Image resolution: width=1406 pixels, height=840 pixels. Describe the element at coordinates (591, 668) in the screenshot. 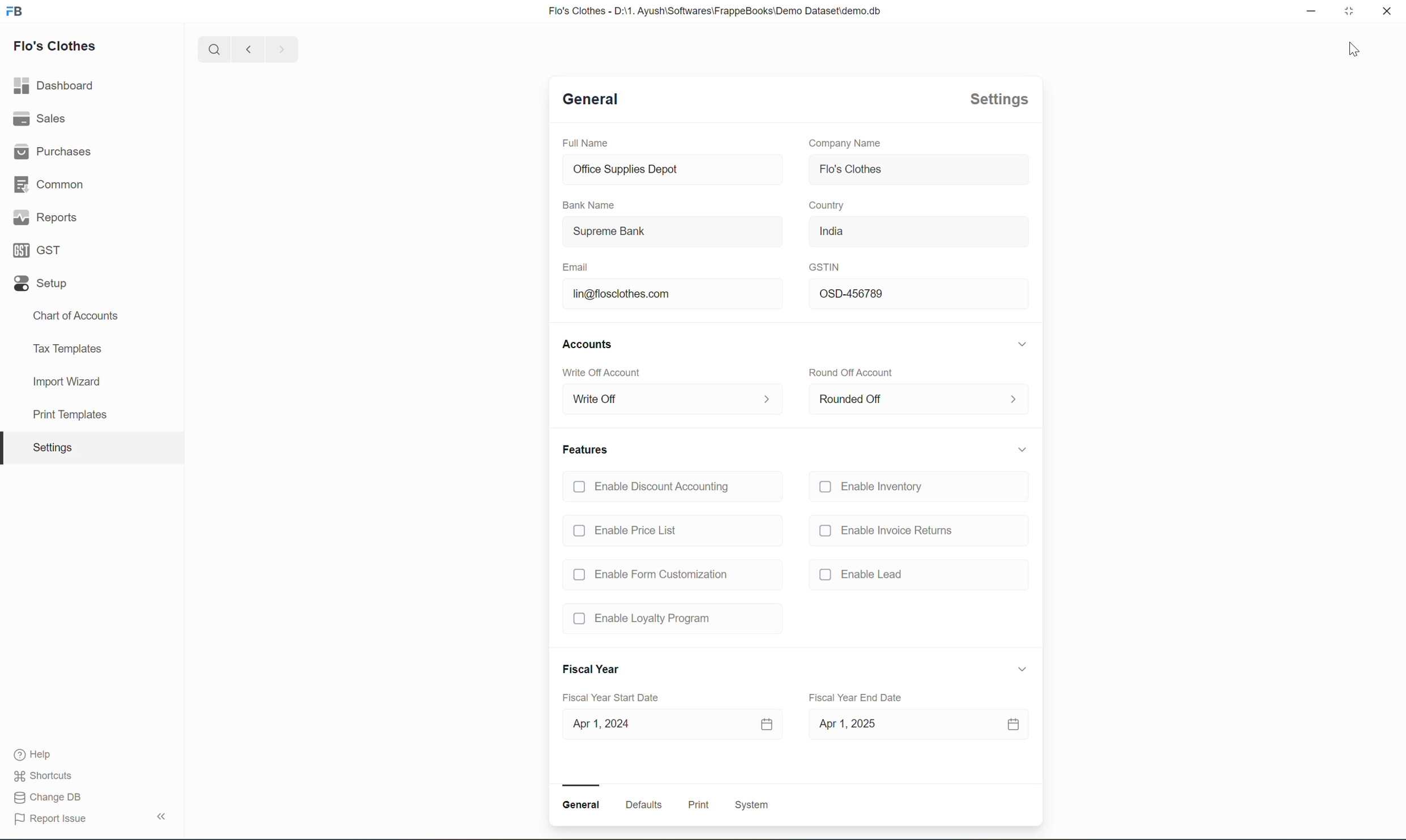

I see `Fiscal Year` at that location.